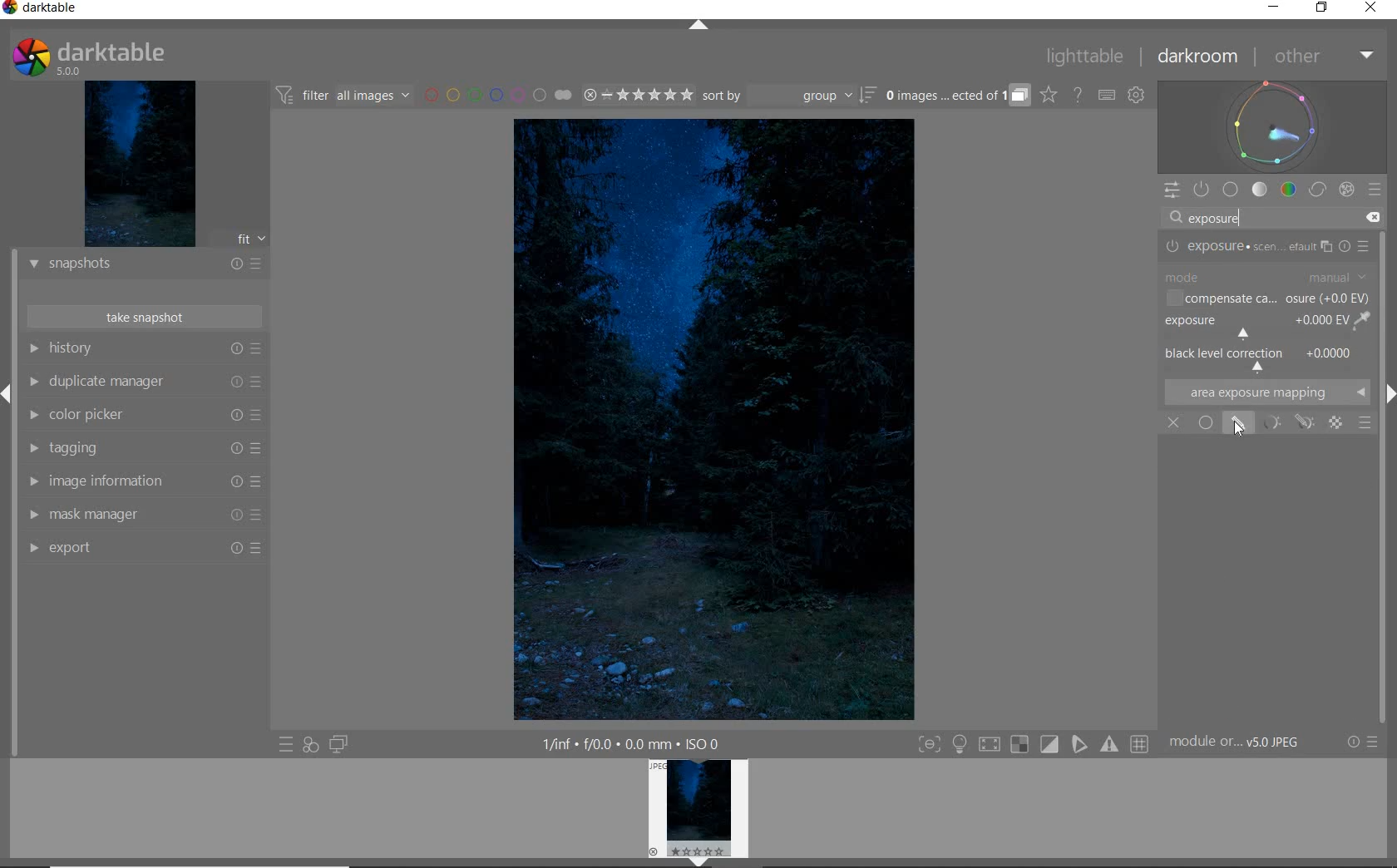 The height and width of the screenshot is (868, 1397). I want to click on HELP ONLINE, so click(1078, 96).